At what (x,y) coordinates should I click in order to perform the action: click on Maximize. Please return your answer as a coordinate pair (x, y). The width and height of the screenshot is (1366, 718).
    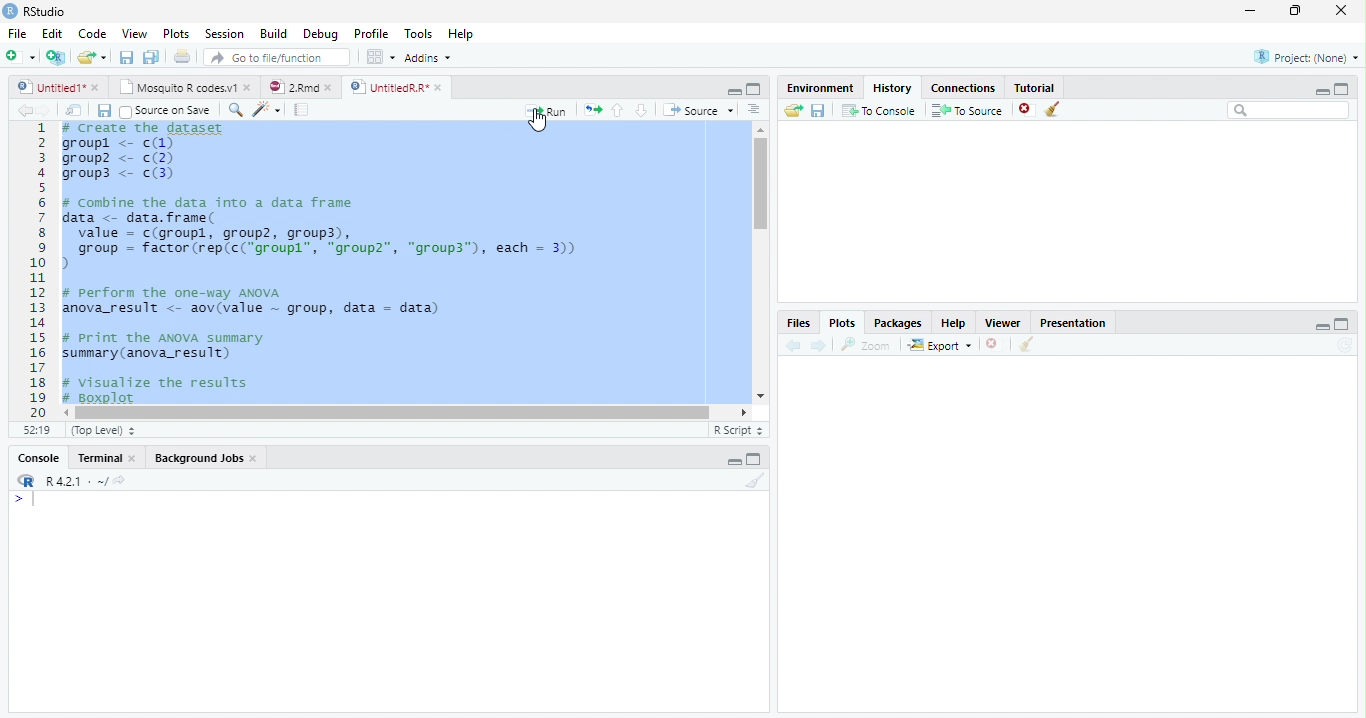
    Looking at the image, I should click on (1342, 325).